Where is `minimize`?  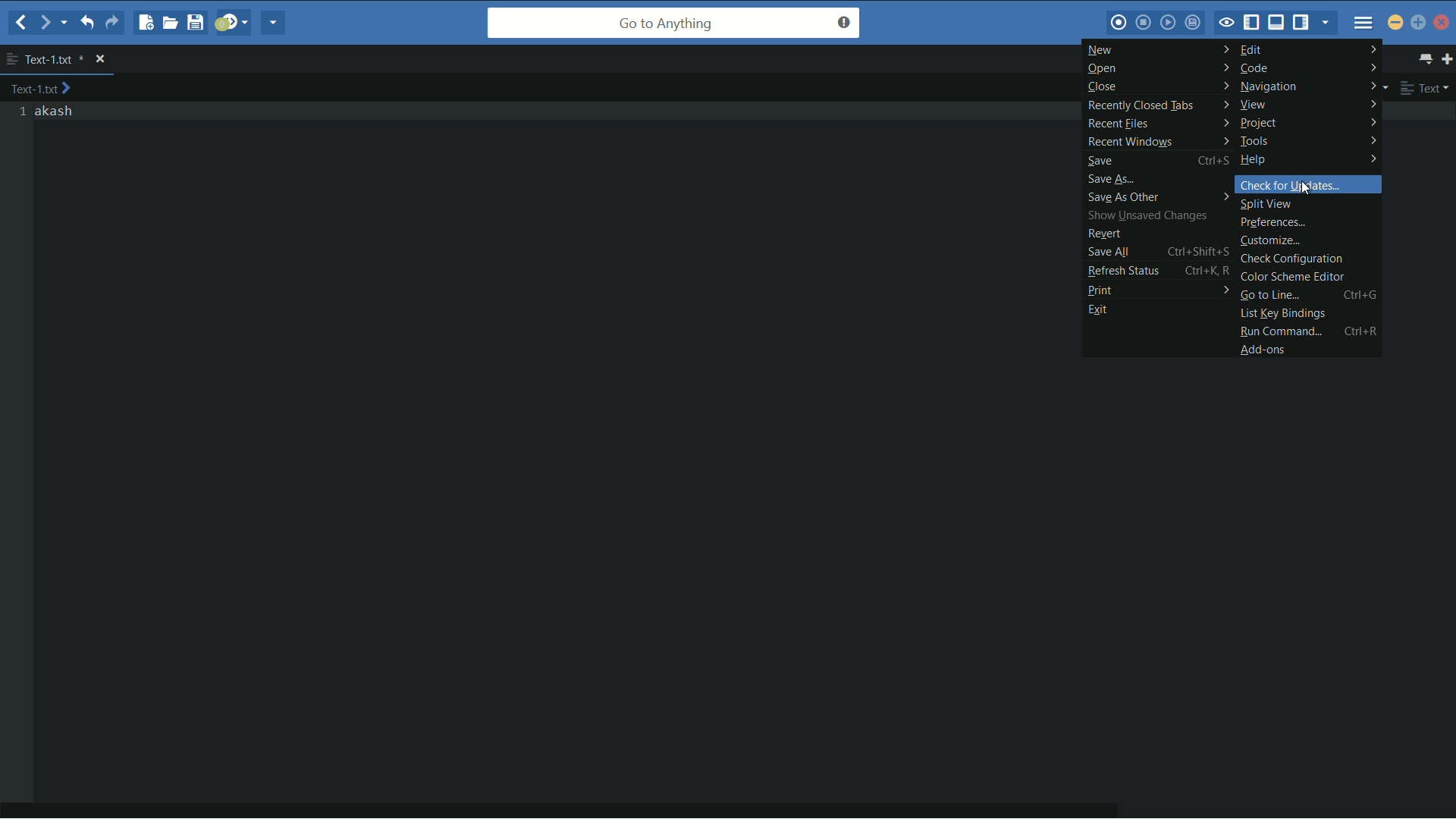
minimize is located at coordinates (1395, 23).